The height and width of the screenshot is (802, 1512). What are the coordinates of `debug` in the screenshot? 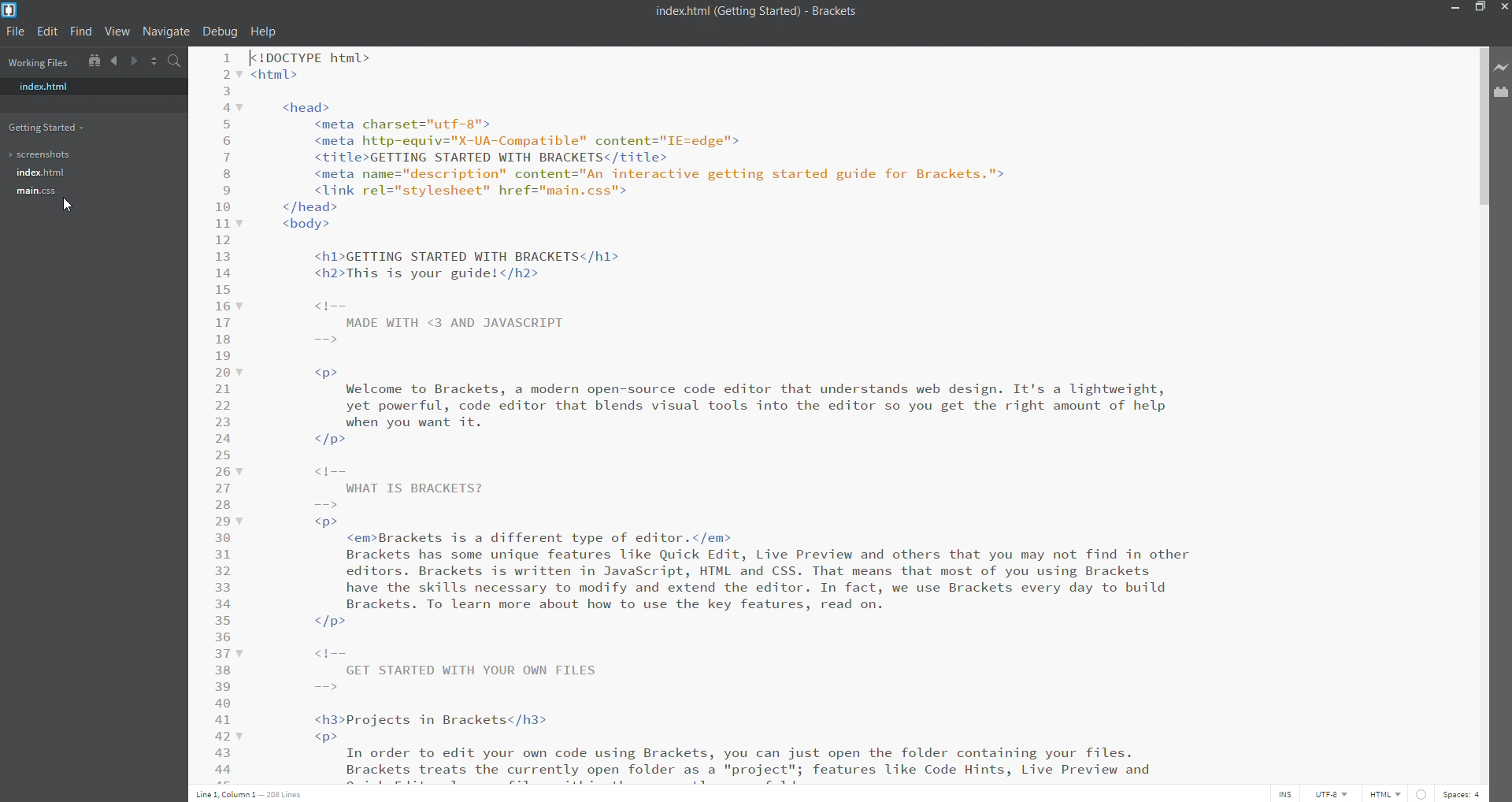 It's located at (217, 31).